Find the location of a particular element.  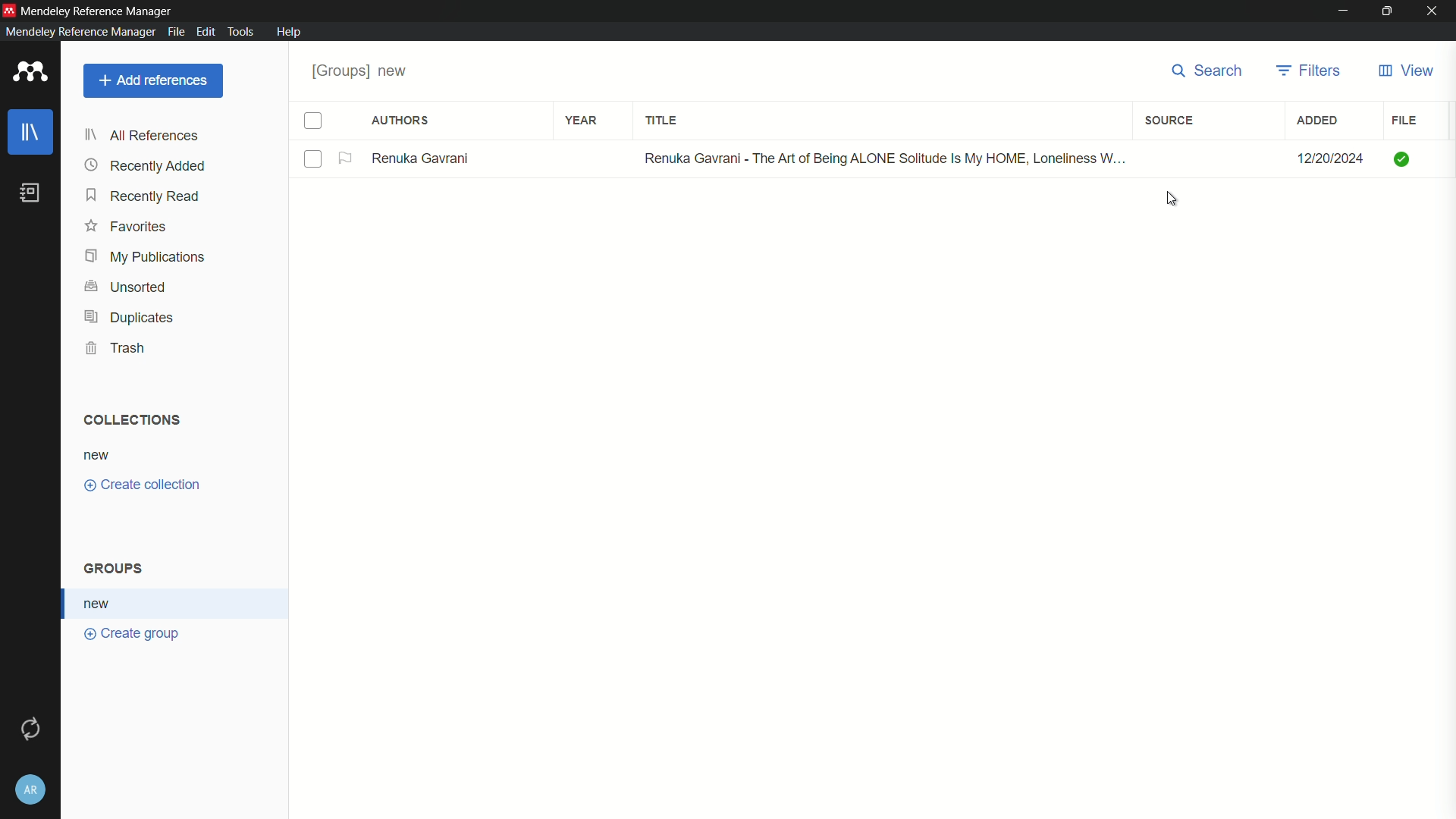

create group is located at coordinates (133, 635).